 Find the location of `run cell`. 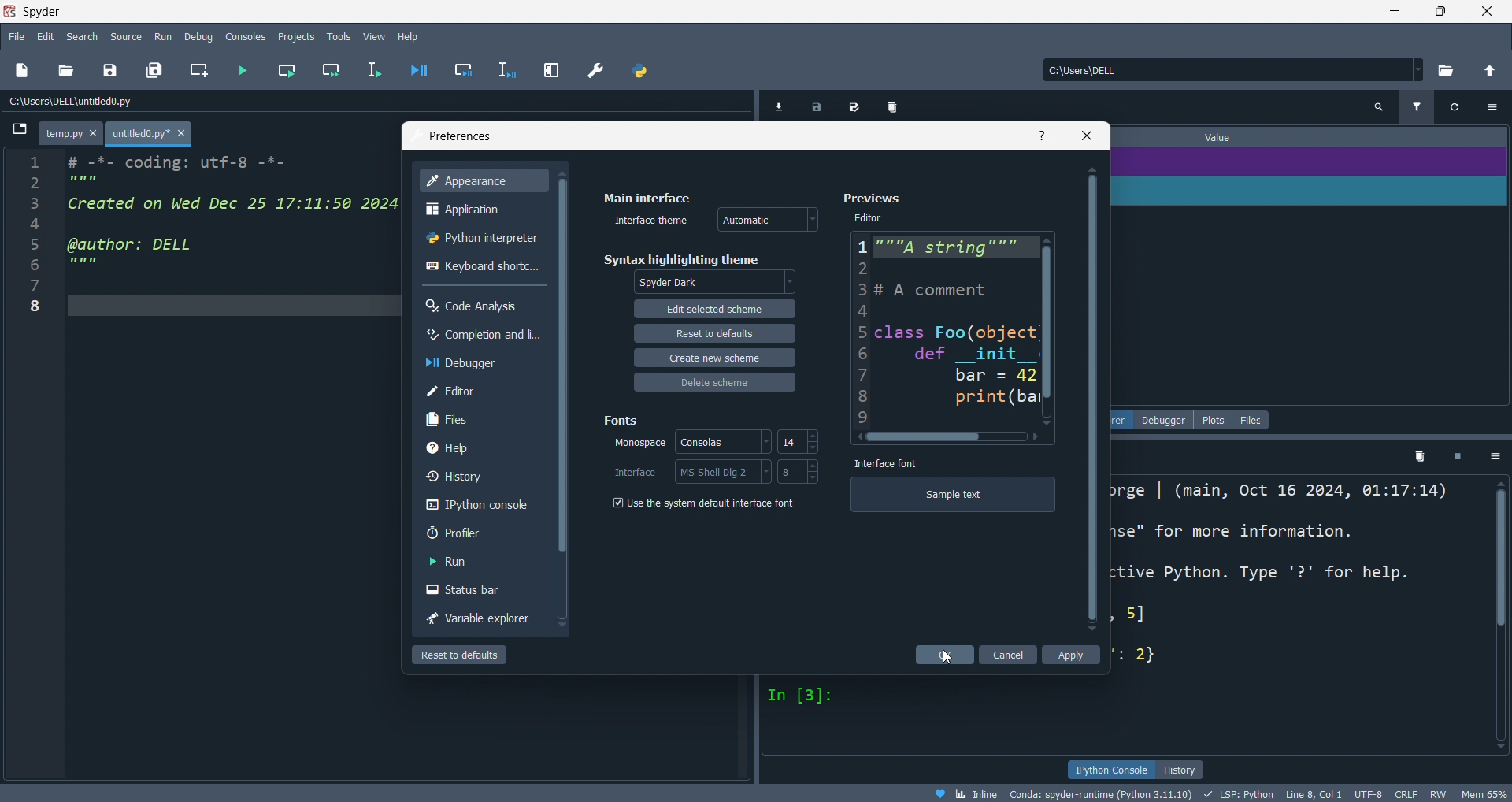

run cell is located at coordinates (290, 70).